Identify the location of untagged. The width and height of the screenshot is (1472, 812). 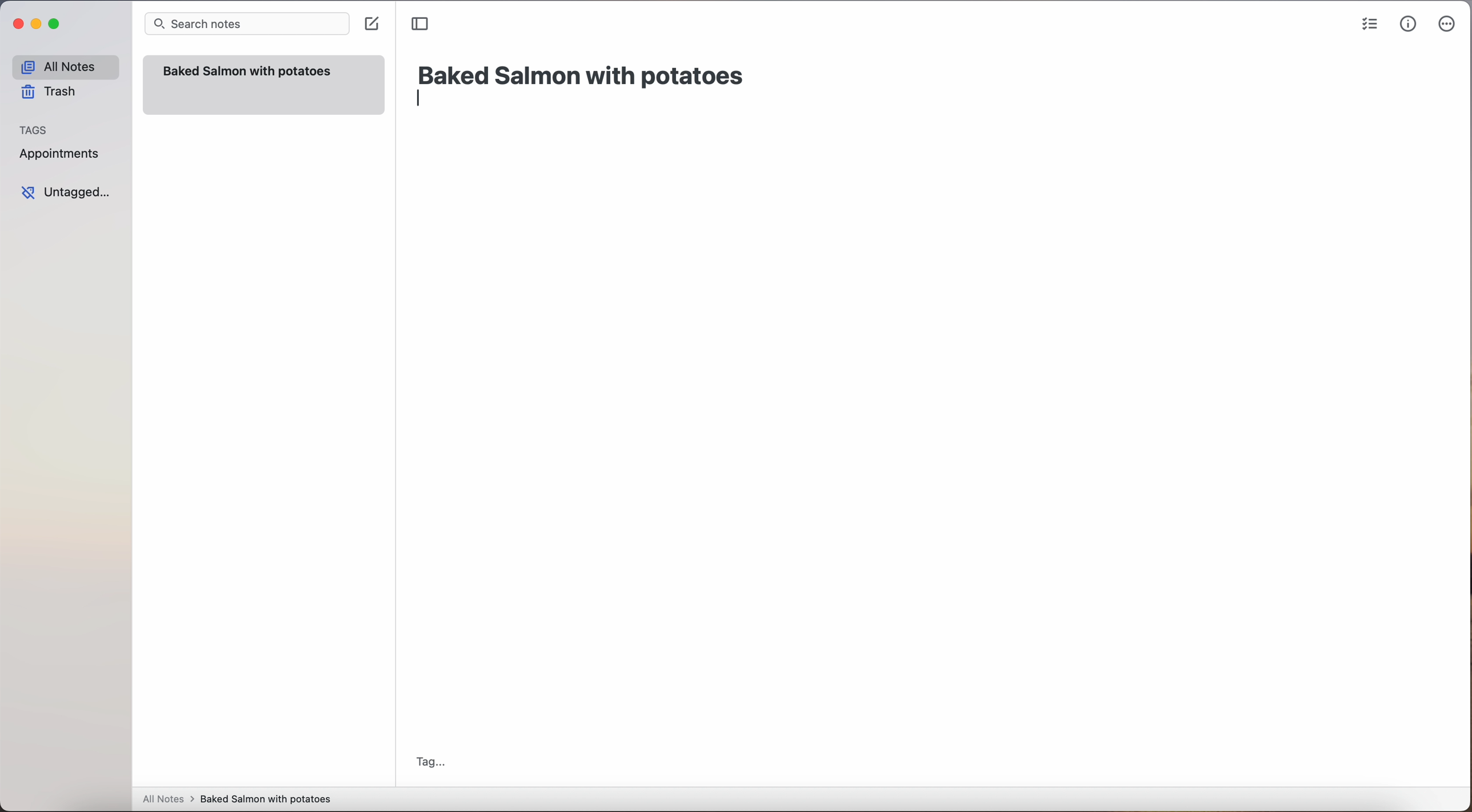
(67, 192).